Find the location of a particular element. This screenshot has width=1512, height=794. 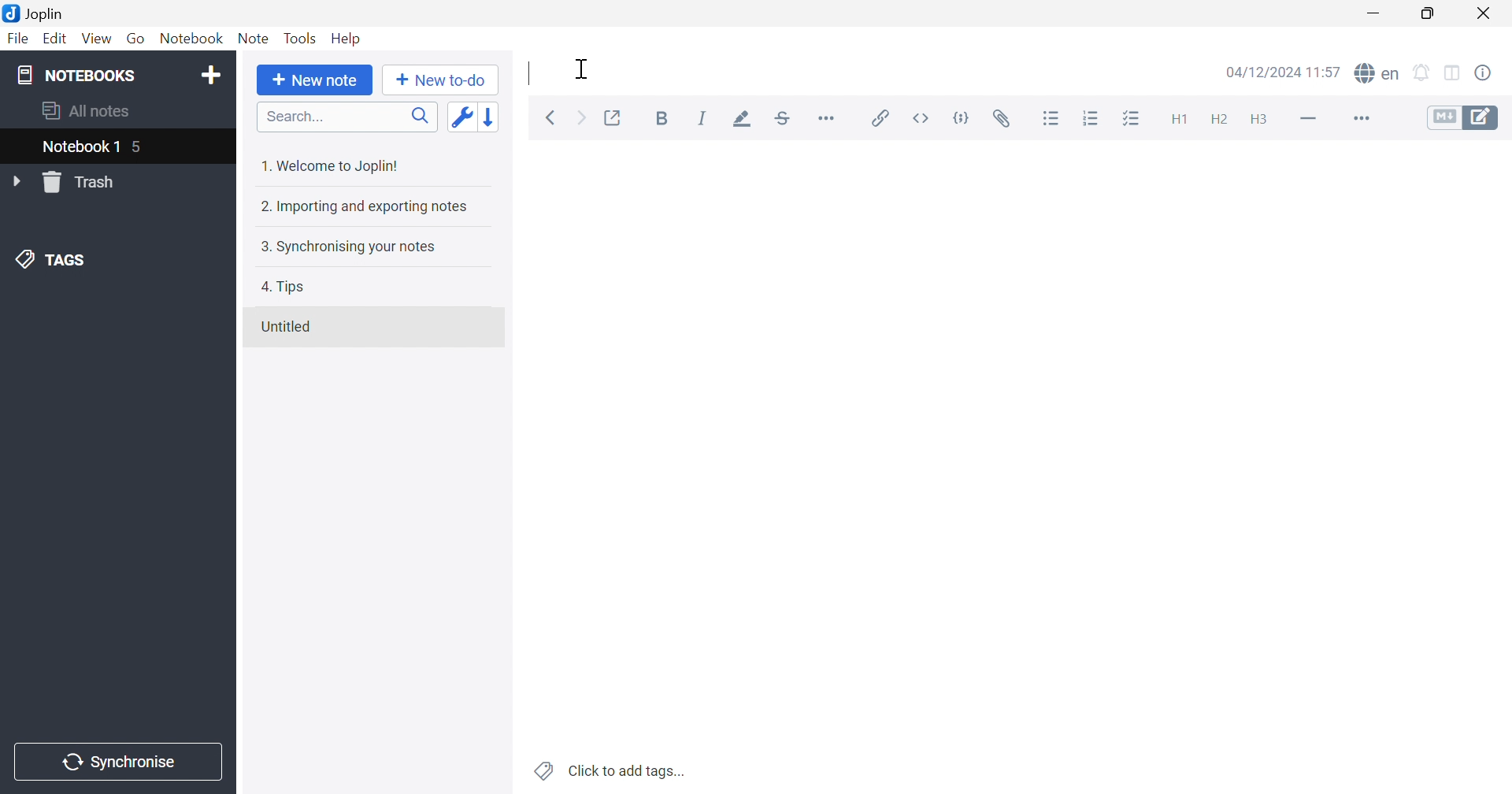

New note is located at coordinates (314, 80).